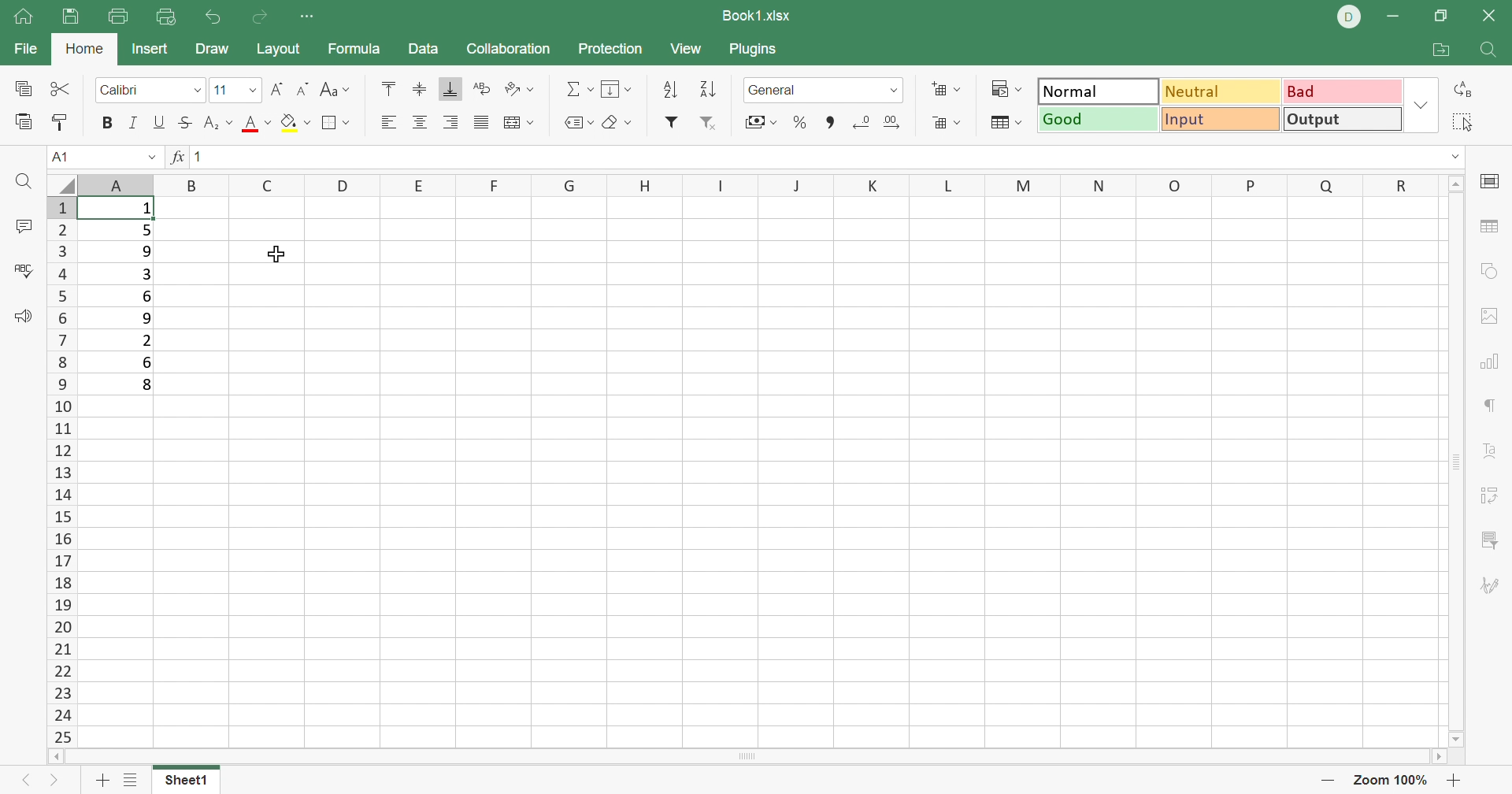 Image resolution: width=1512 pixels, height=794 pixels. What do you see at coordinates (254, 91) in the screenshot?
I see `Drop Down` at bounding box center [254, 91].